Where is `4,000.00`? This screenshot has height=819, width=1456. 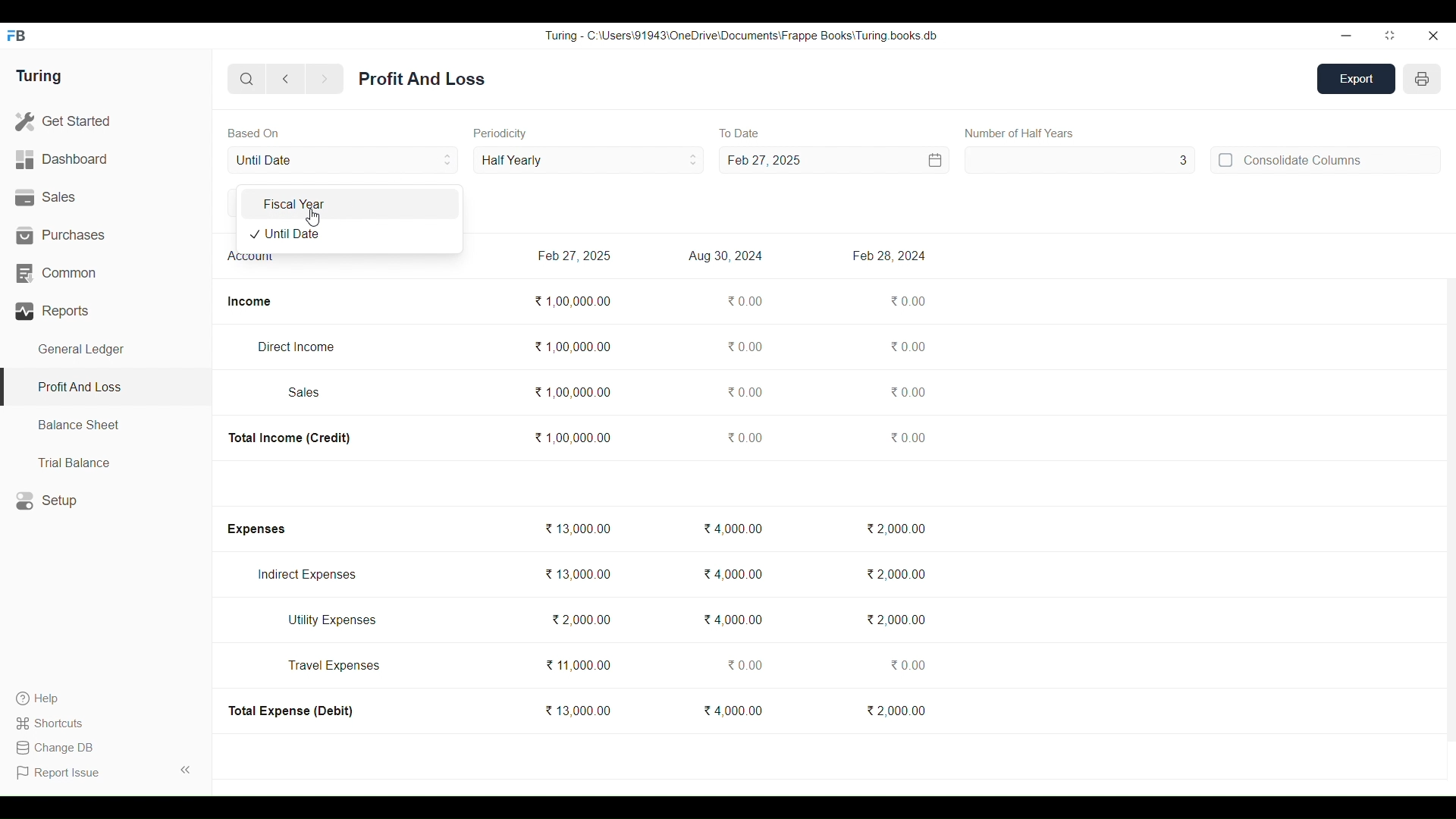 4,000.00 is located at coordinates (733, 710).